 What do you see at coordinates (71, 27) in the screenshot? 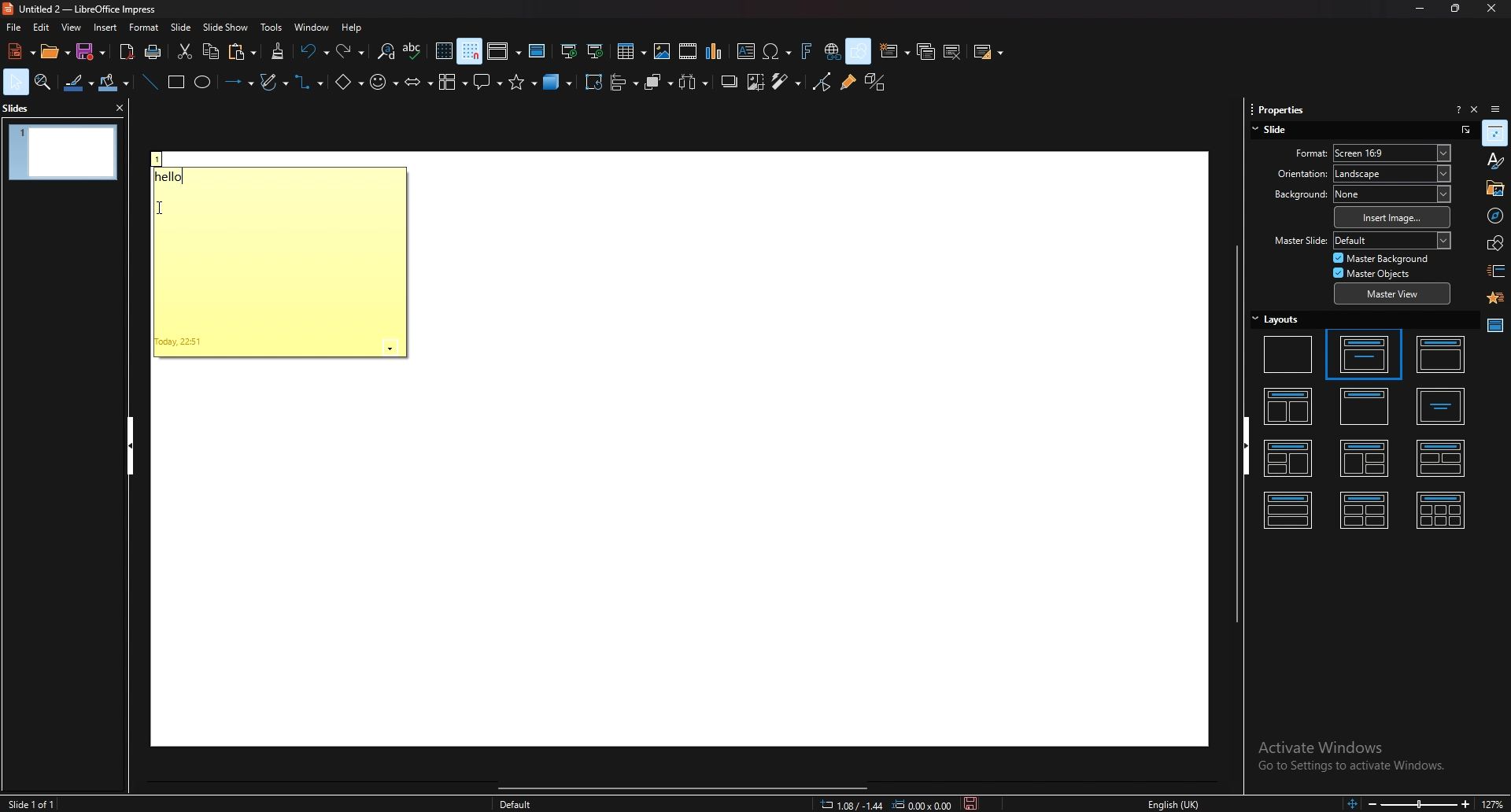
I see `view` at bounding box center [71, 27].